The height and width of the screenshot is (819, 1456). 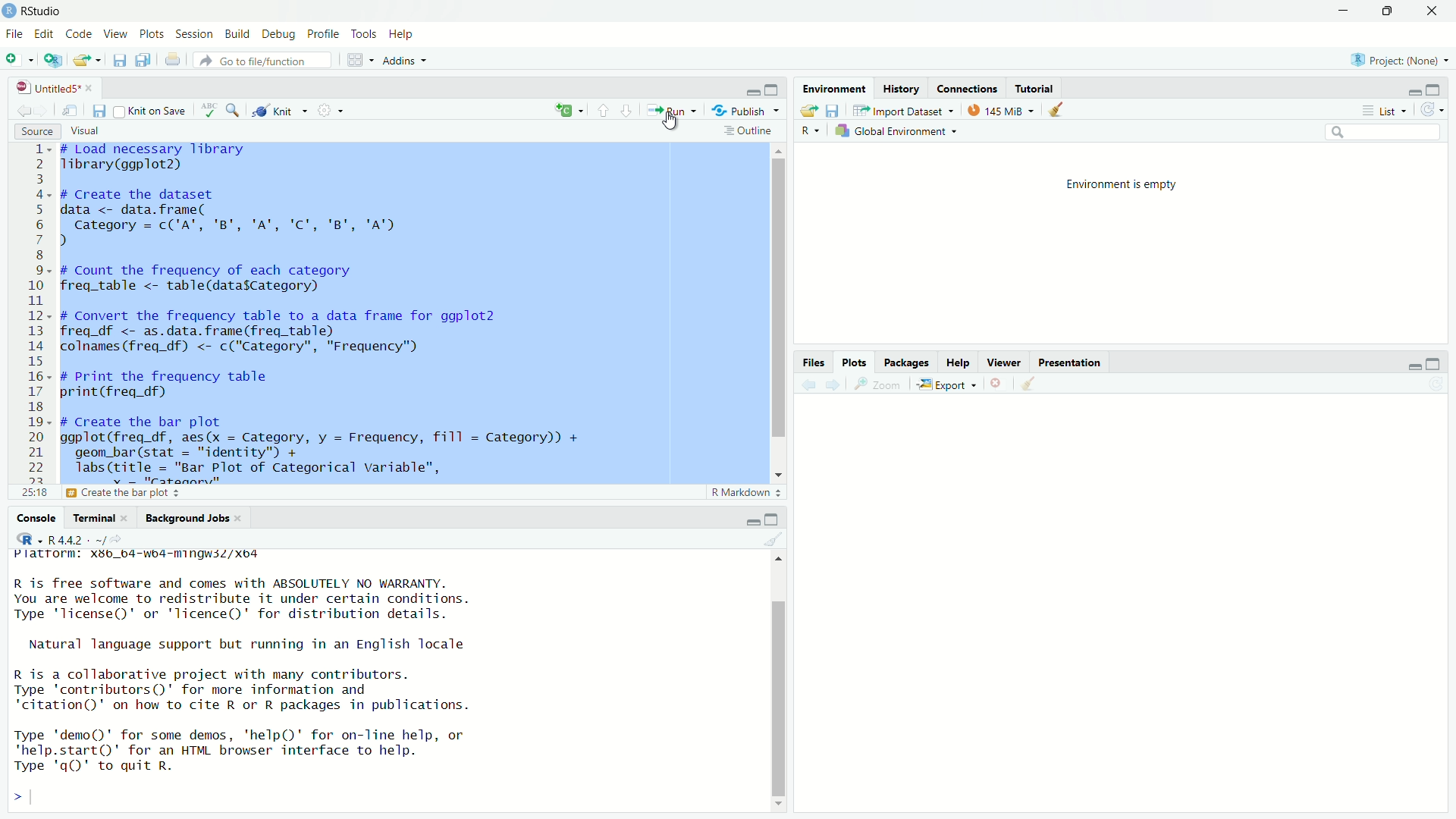 I want to click on go forward, so click(x=44, y=111).